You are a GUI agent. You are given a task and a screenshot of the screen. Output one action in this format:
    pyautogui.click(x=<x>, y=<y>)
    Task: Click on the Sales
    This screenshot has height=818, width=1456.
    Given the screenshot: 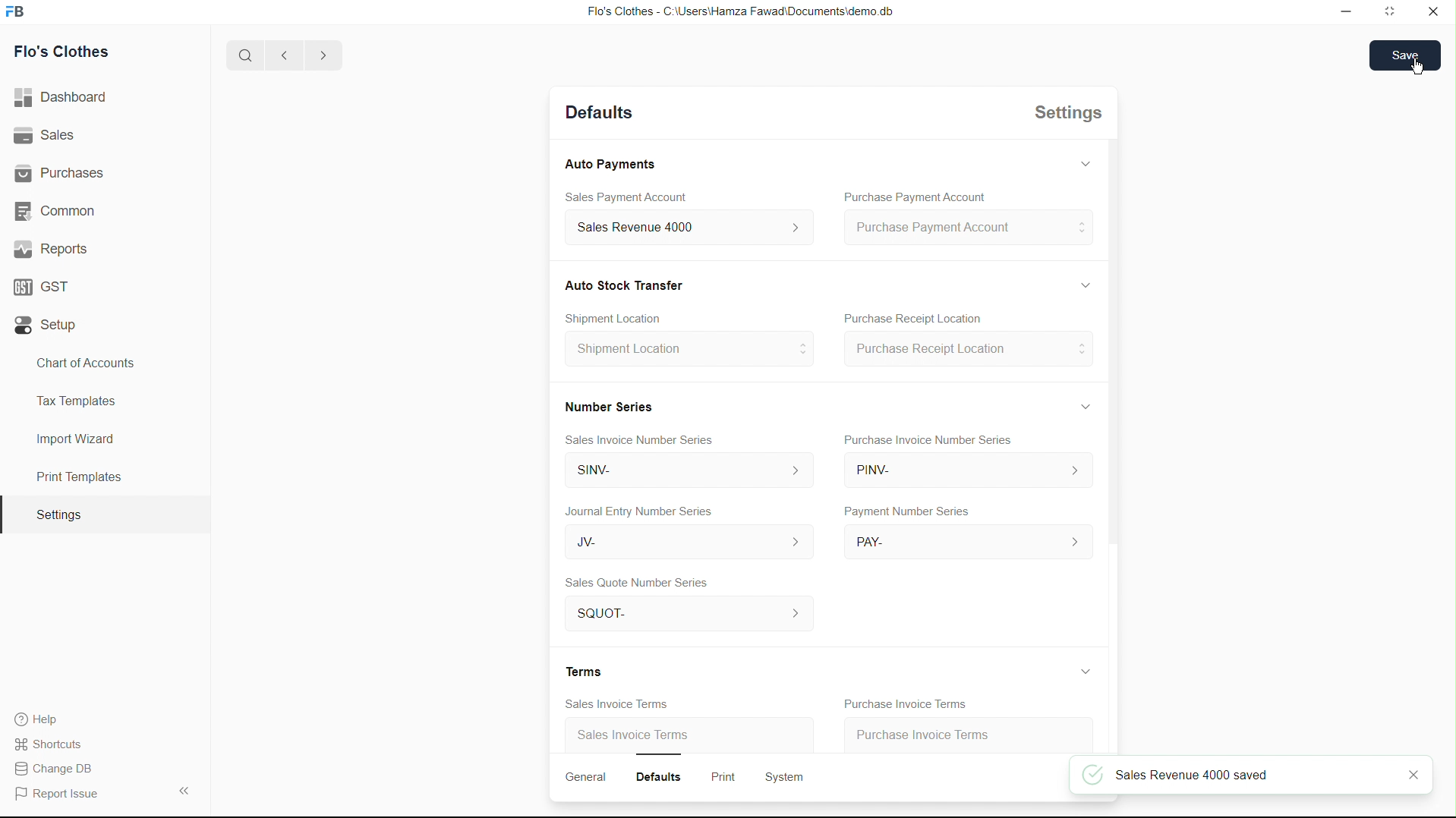 What is the action you would take?
    pyautogui.click(x=48, y=136)
    